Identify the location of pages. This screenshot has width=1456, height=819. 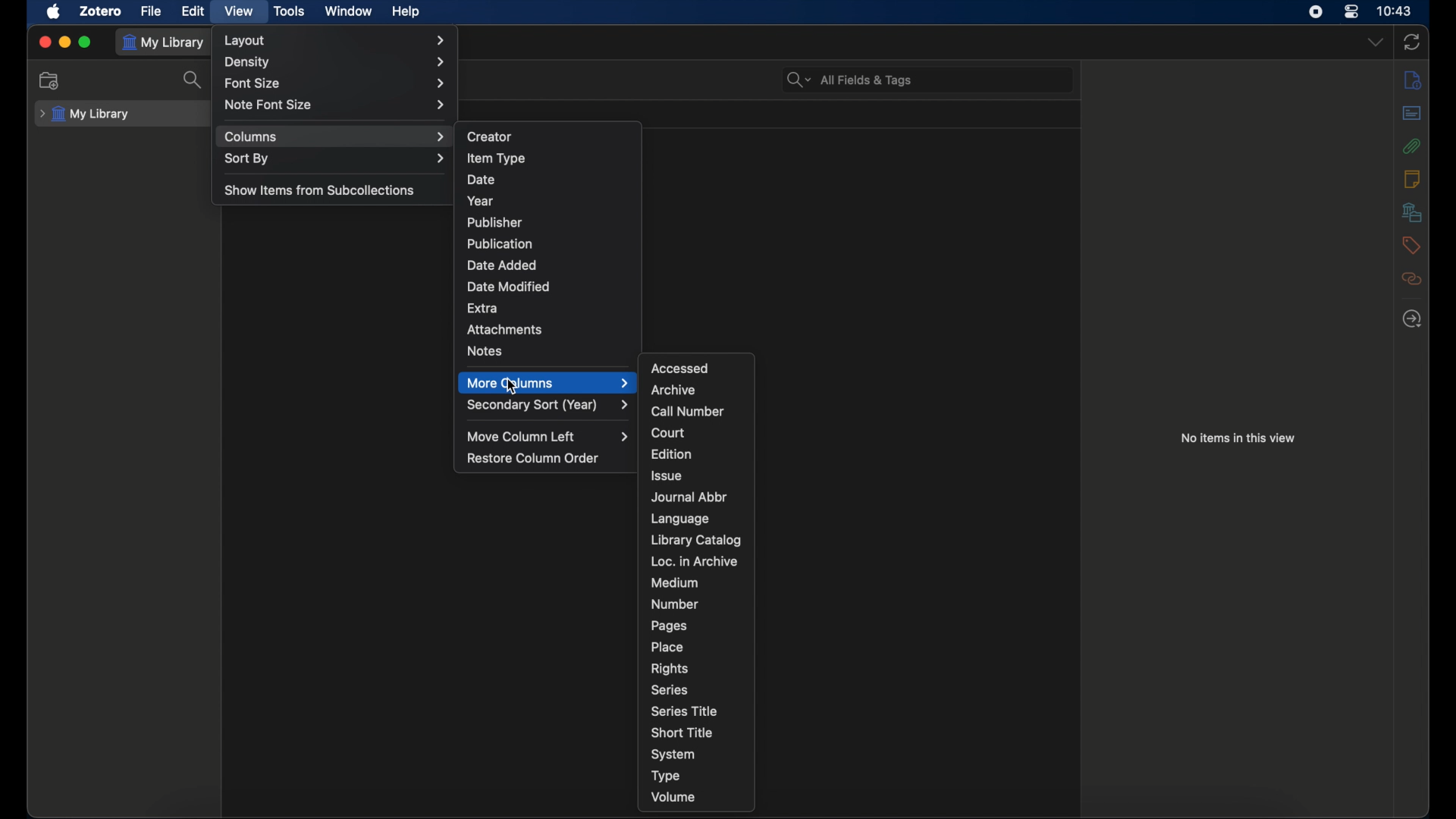
(669, 626).